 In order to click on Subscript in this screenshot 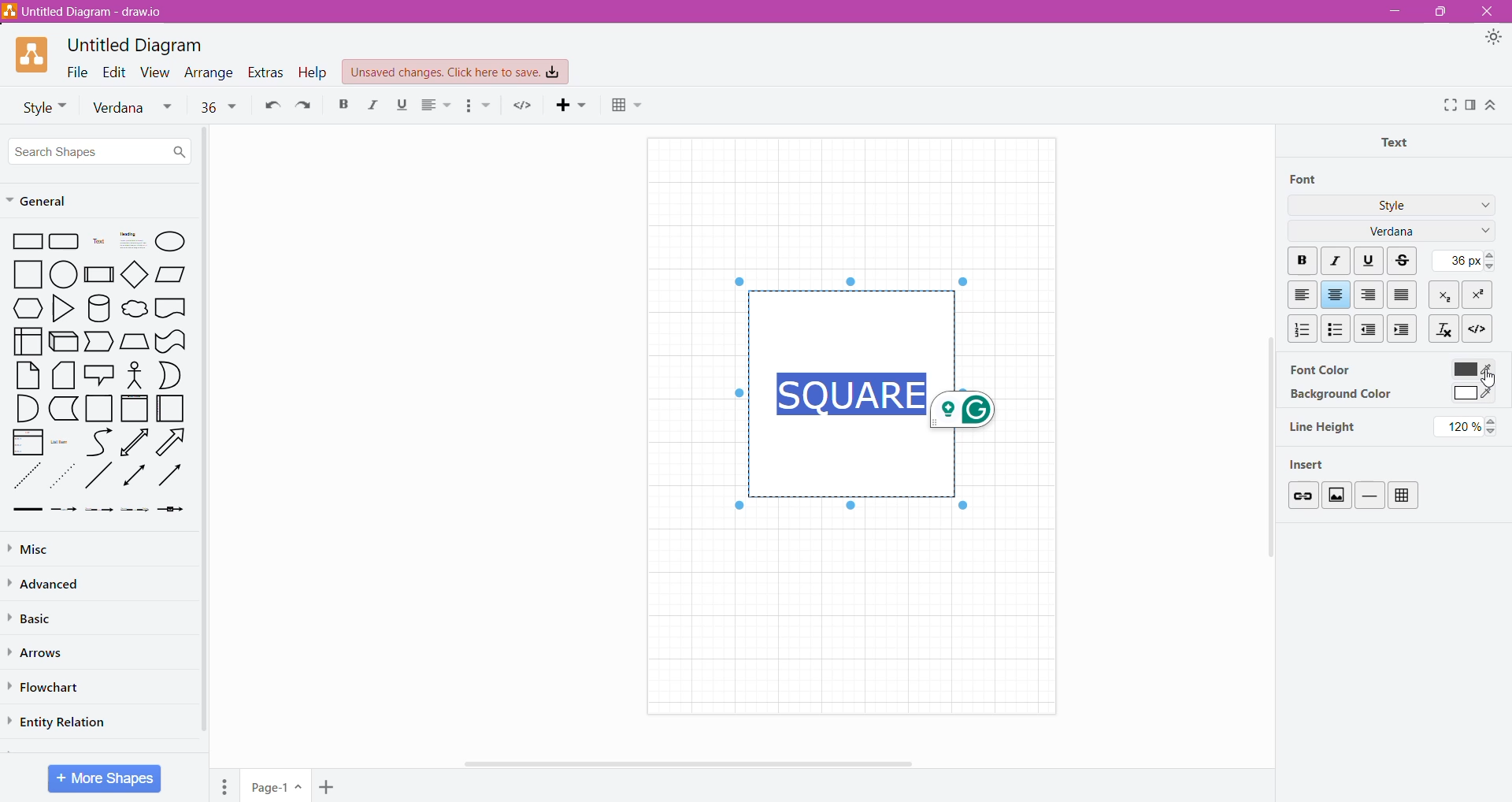, I will do `click(1445, 294)`.